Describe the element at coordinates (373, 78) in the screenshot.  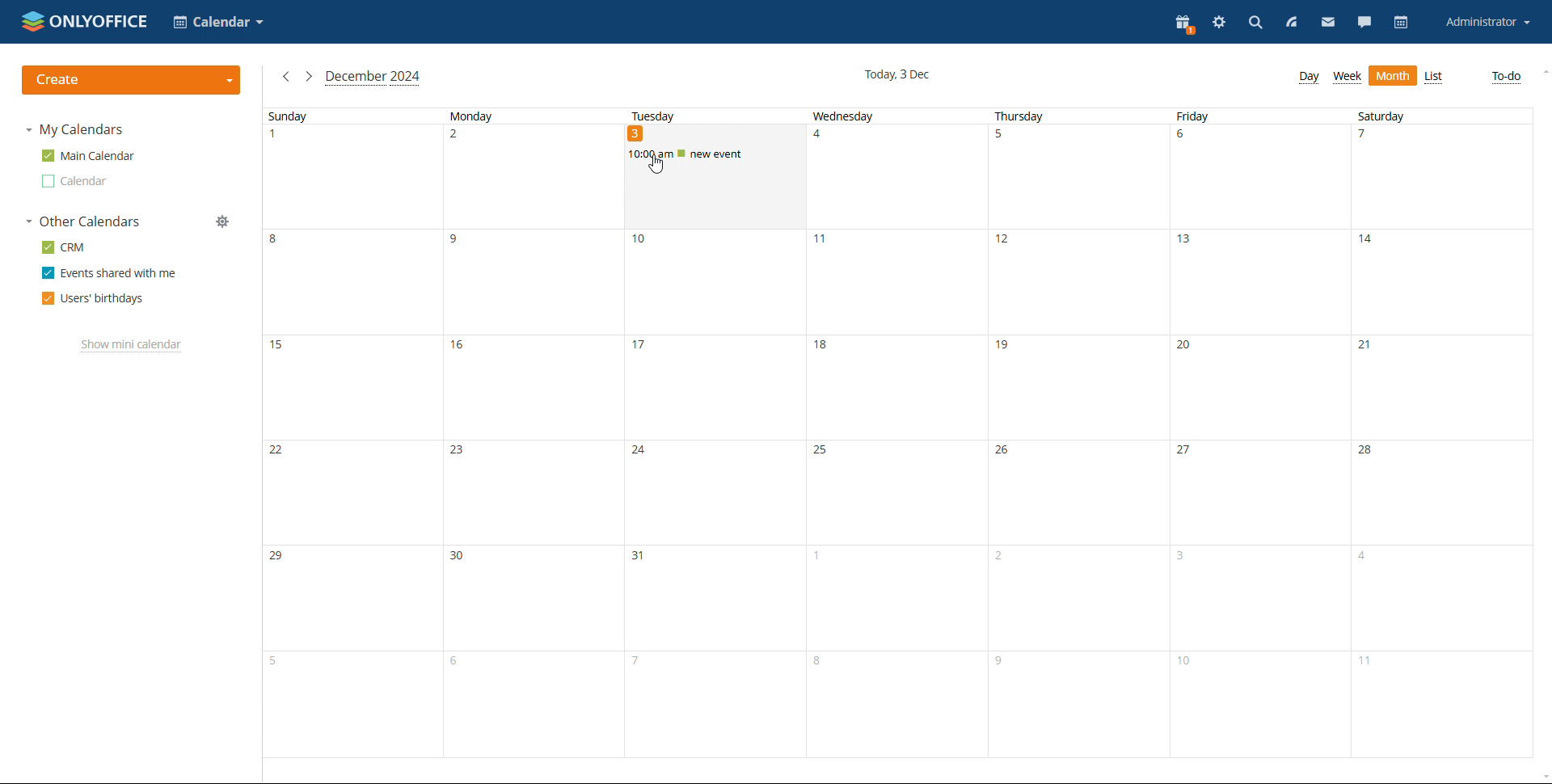
I see `current month` at that location.